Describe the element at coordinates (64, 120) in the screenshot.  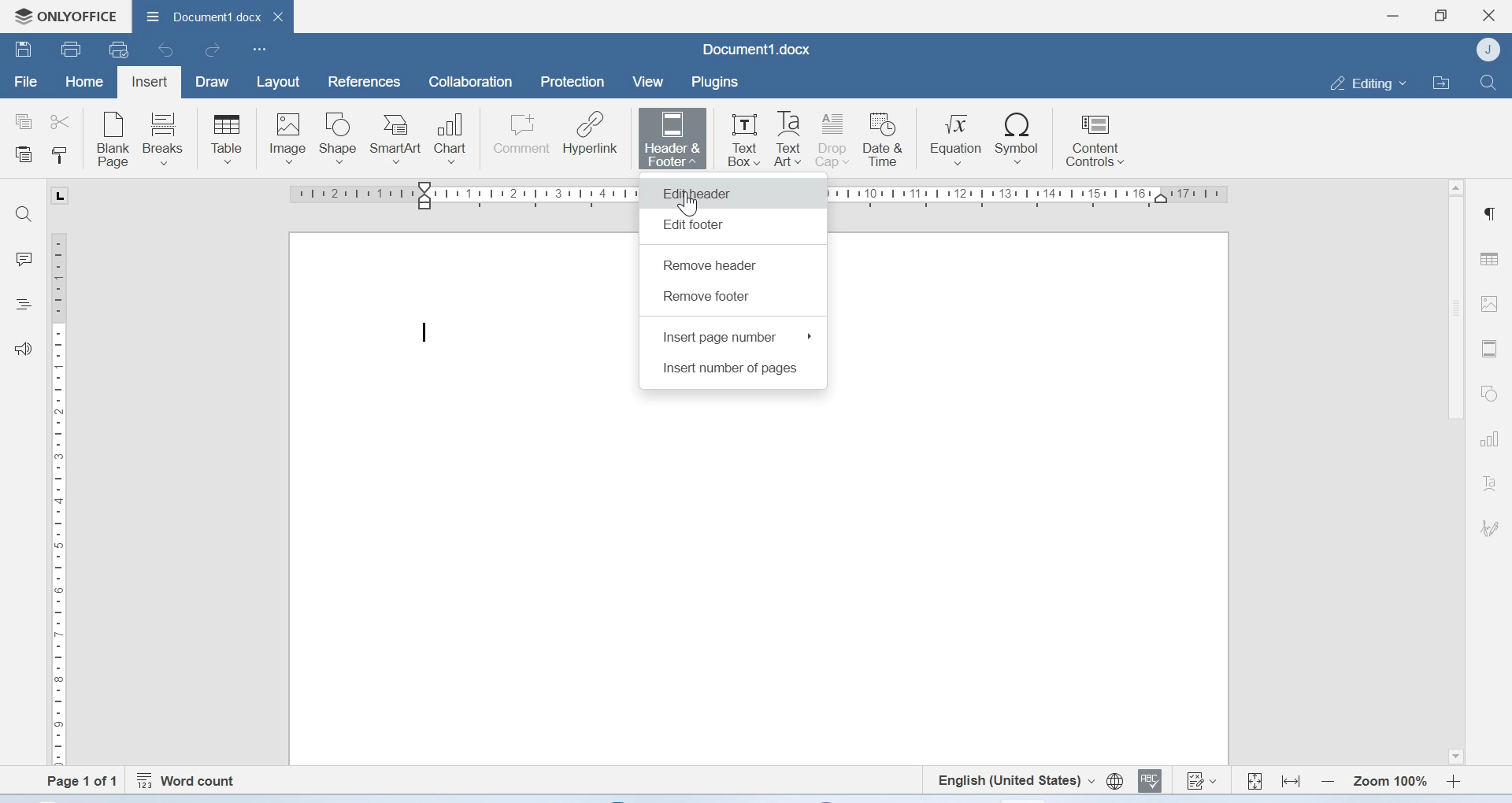
I see `cut` at that location.